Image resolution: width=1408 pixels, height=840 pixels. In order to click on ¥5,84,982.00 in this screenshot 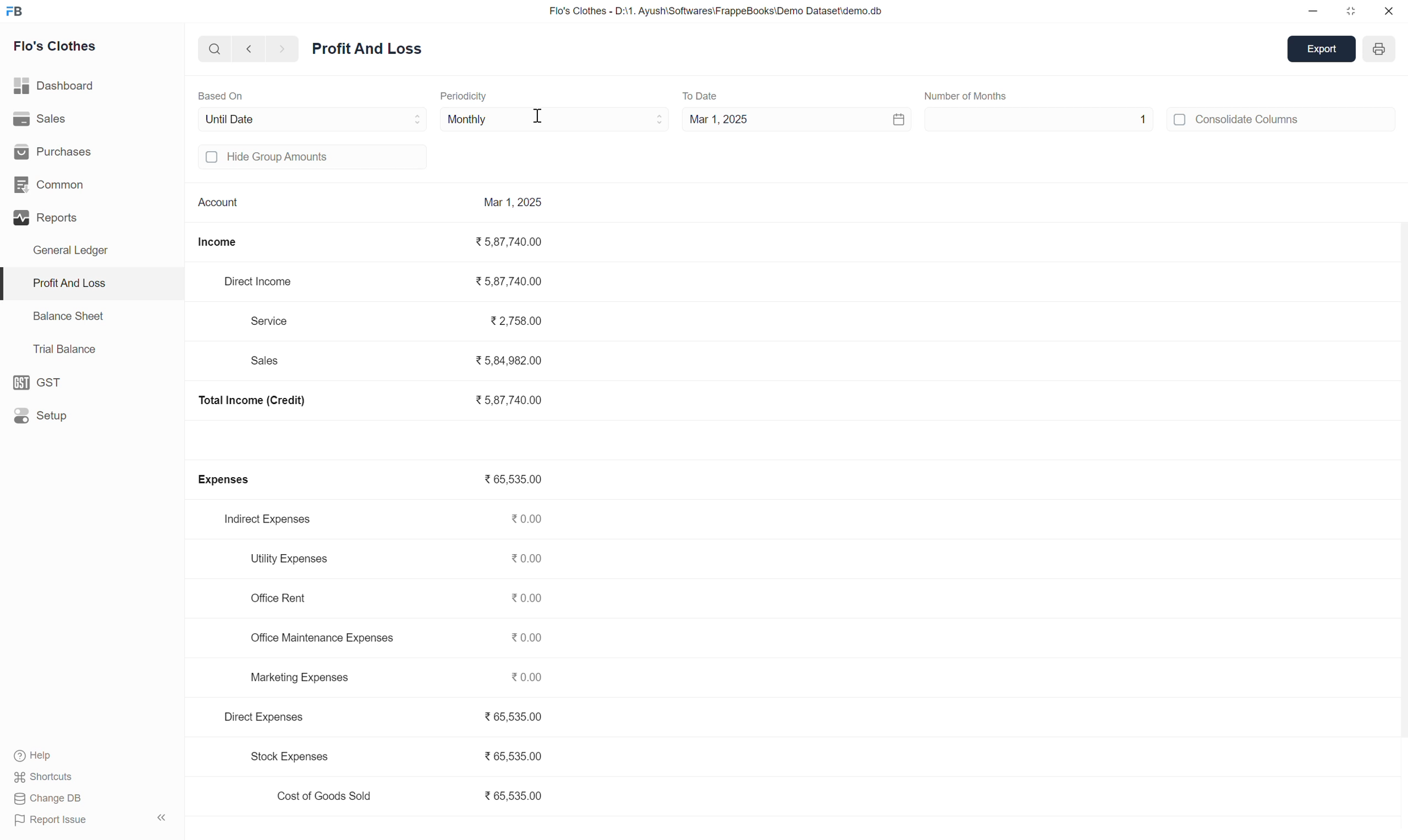, I will do `click(511, 357)`.